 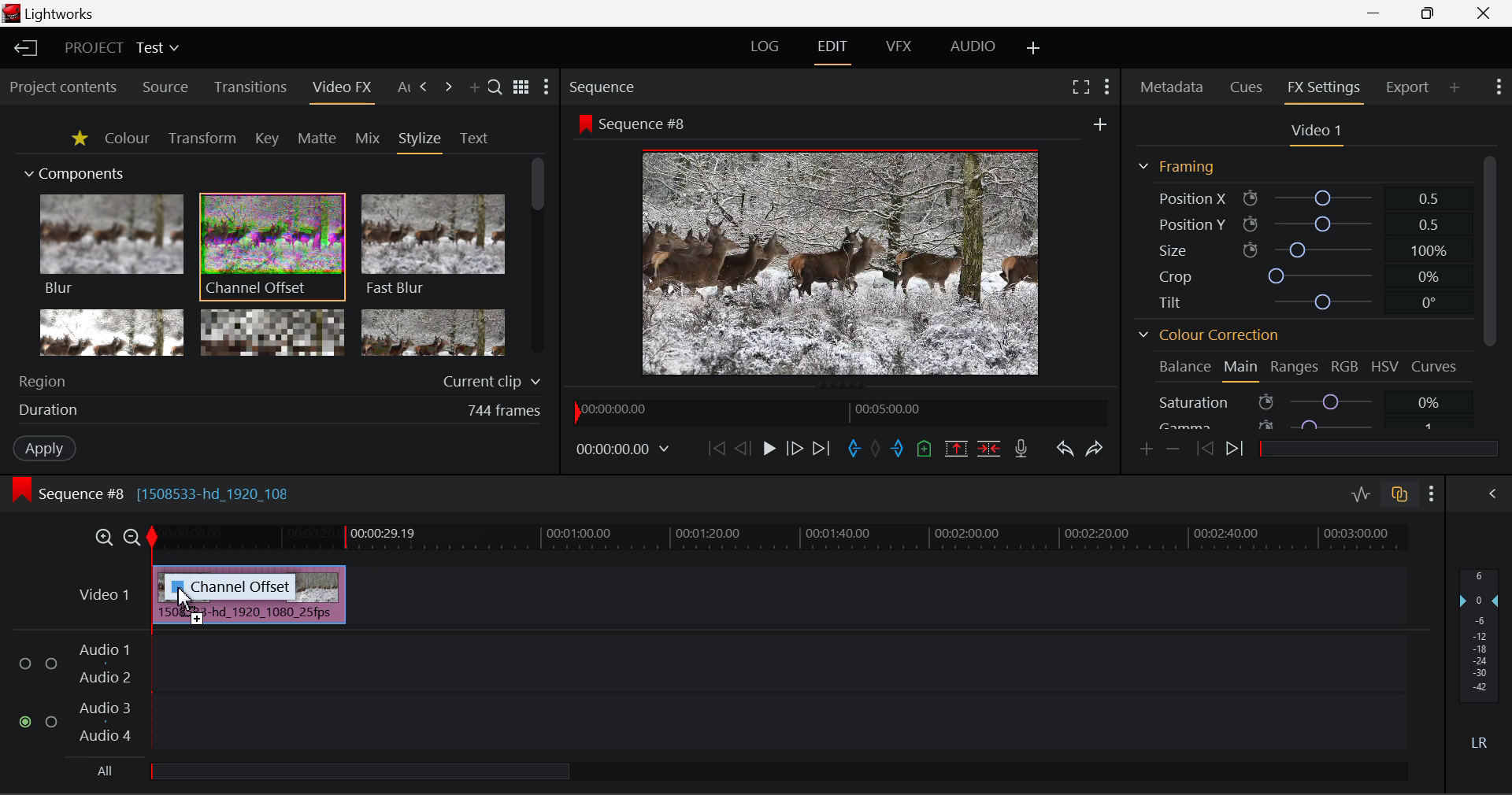 What do you see at coordinates (991, 449) in the screenshot?
I see `Delete/Cut` at bounding box center [991, 449].